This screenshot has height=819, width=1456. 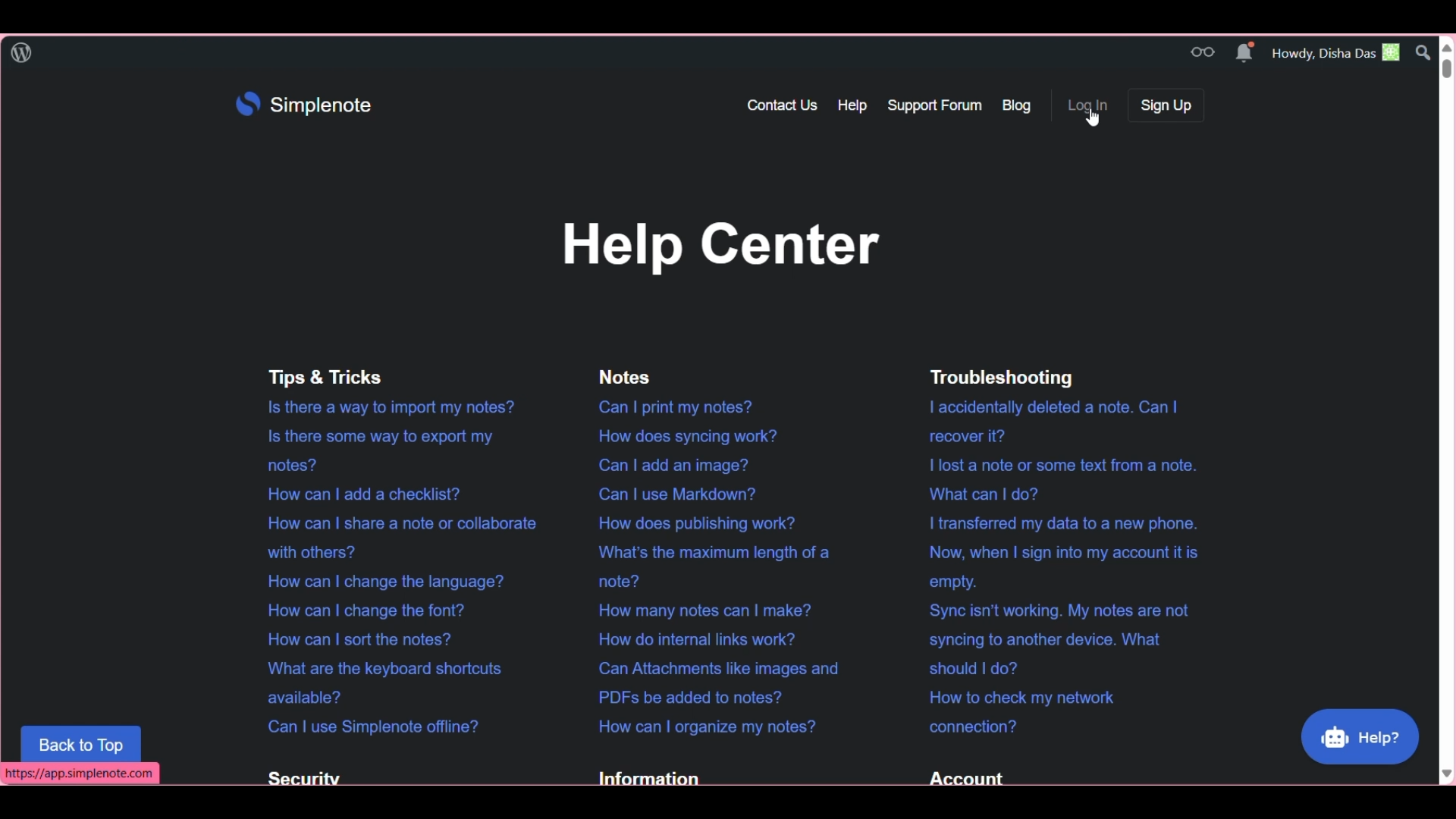 What do you see at coordinates (1017, 712) in the screenshot?
I see `How to check my network connection?` at bounding box center [1017, 712].